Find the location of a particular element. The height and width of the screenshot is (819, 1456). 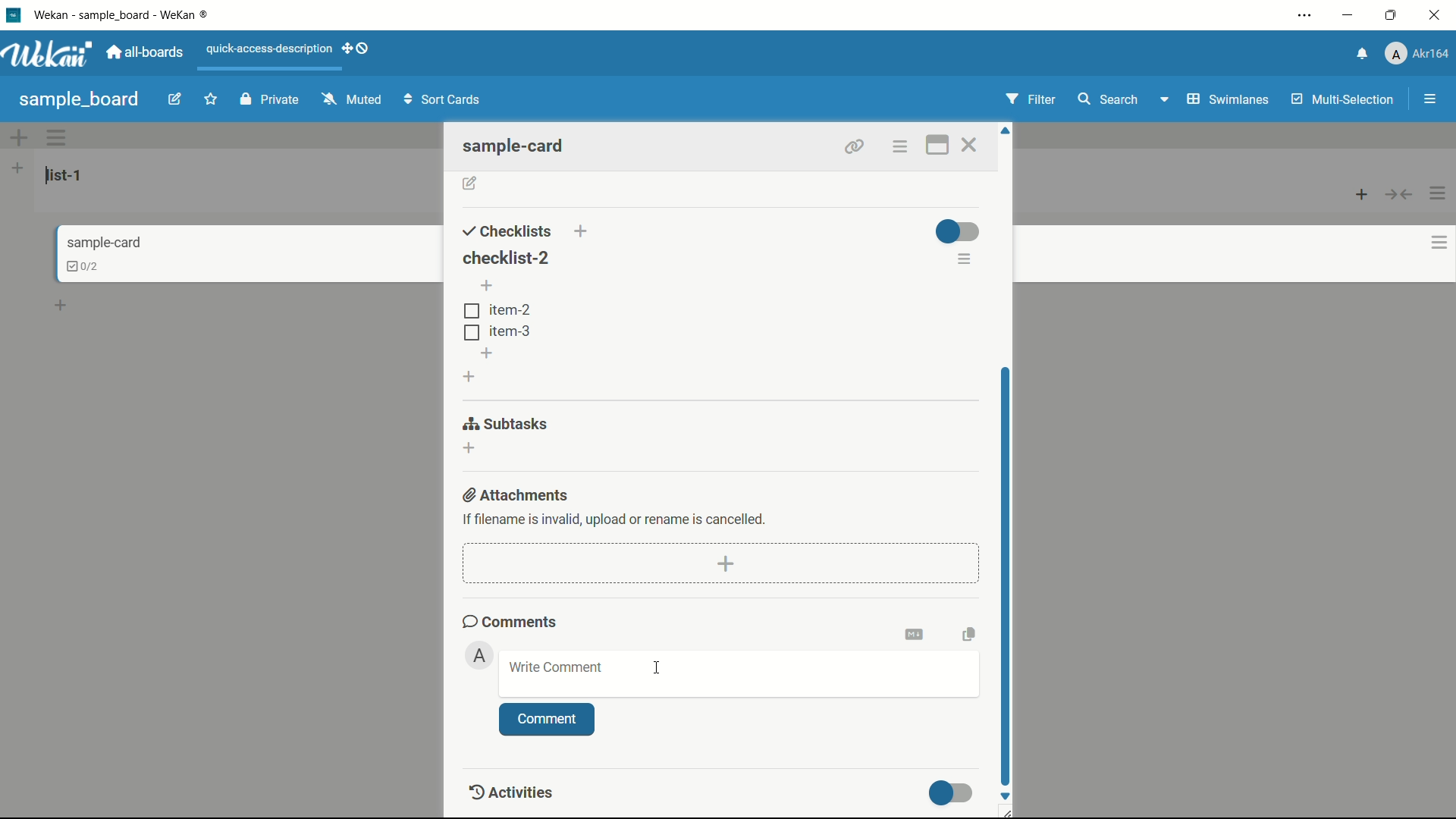

multi selection is located at coordinates (1341, 101).